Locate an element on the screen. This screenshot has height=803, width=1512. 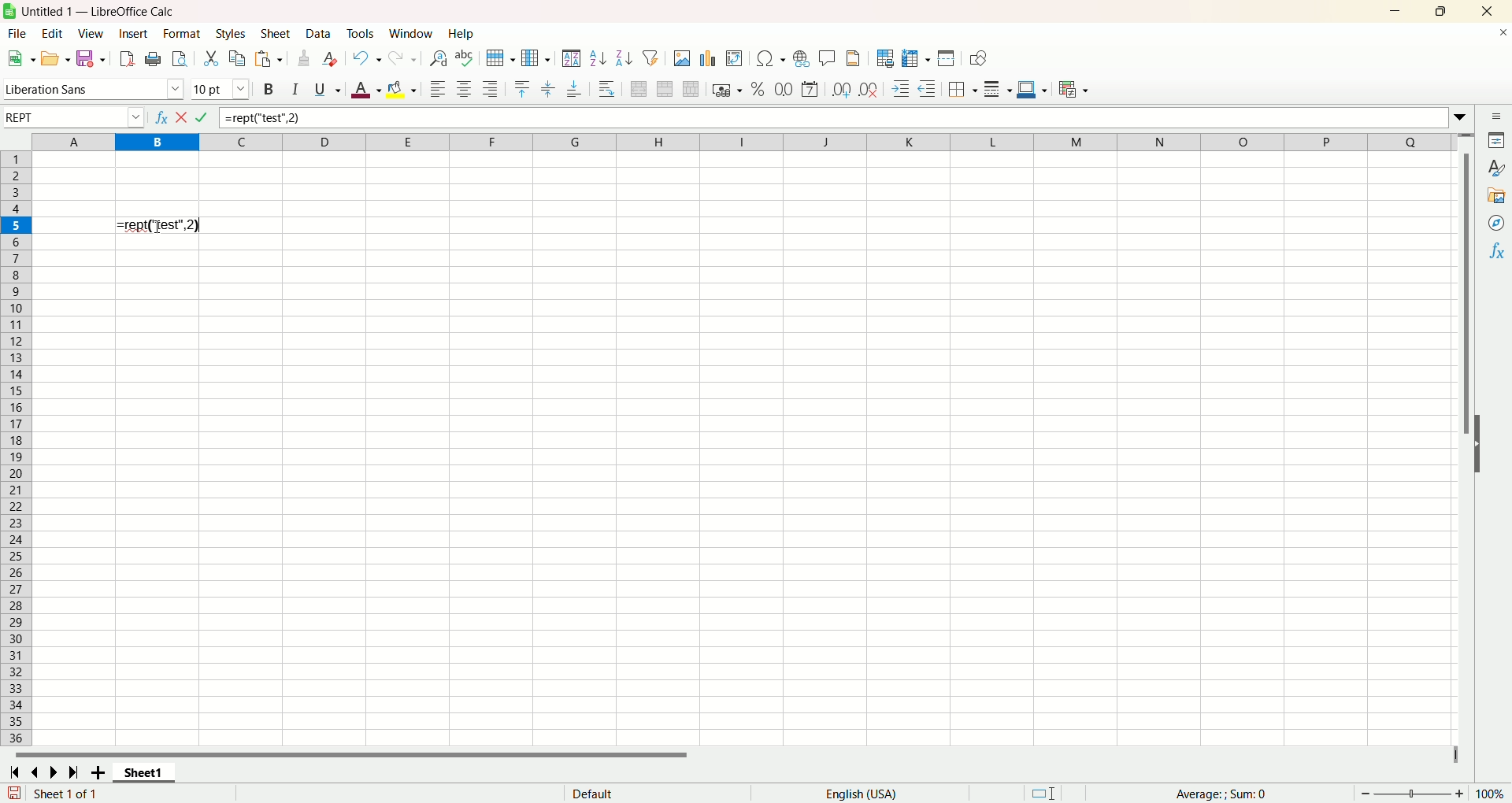
new is located at coordinates (21, 58).